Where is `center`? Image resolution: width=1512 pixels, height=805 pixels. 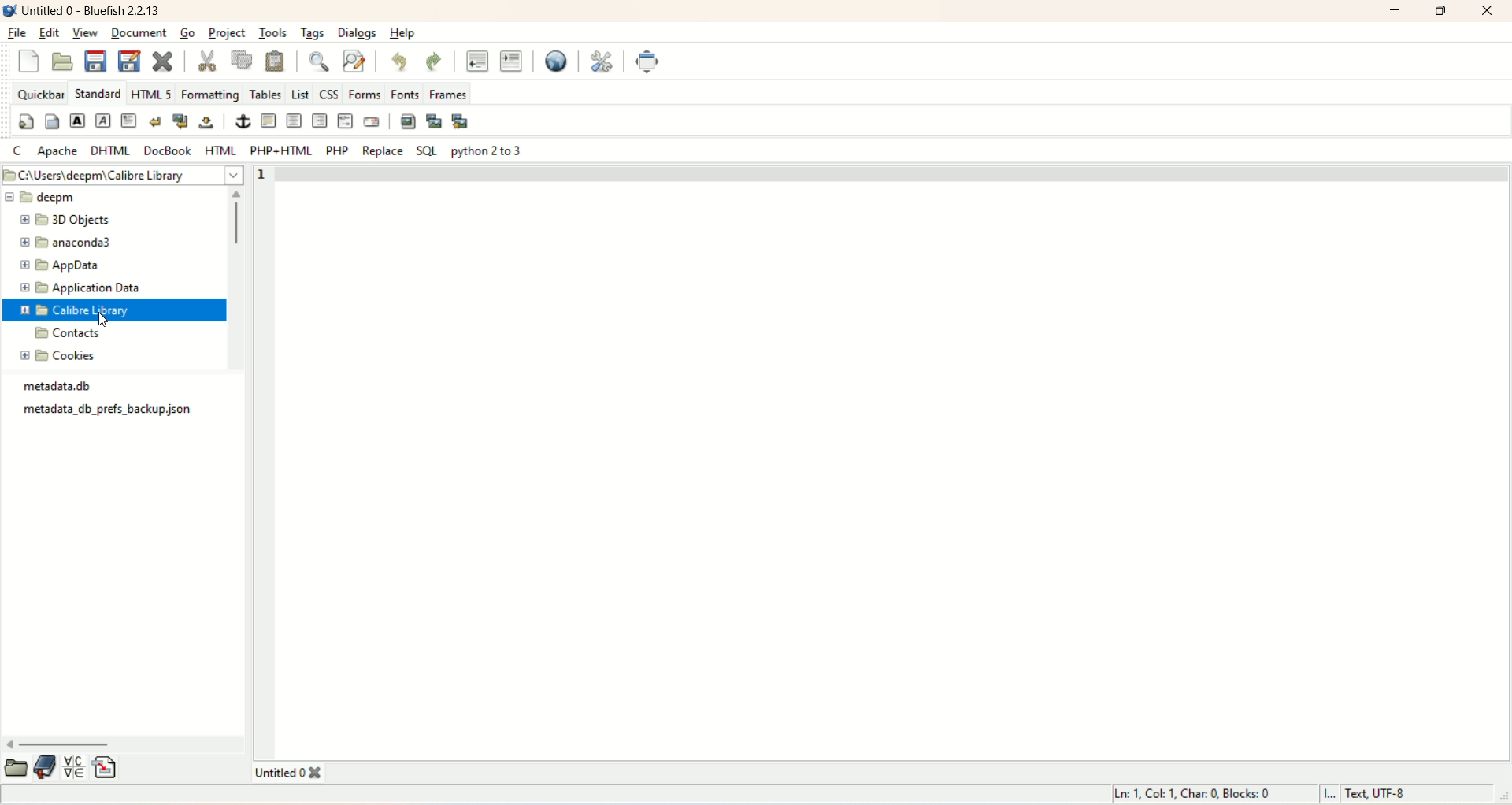
center is located at coordinates (295, 121).